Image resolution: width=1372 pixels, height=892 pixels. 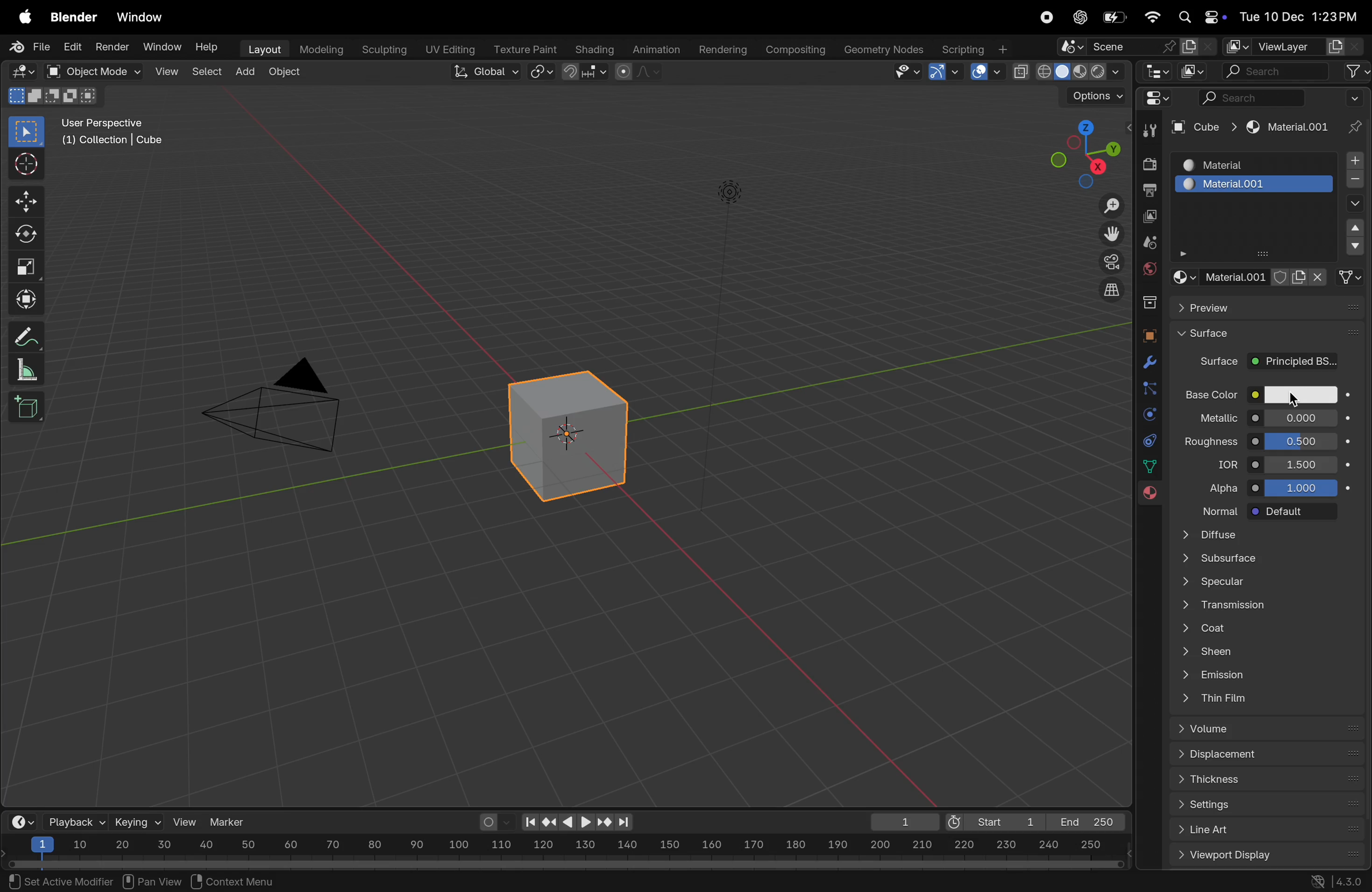 What do you see at coordinates (119, 131) in the screenshot?
I see `user perspective` at bounding box center [119, 131].